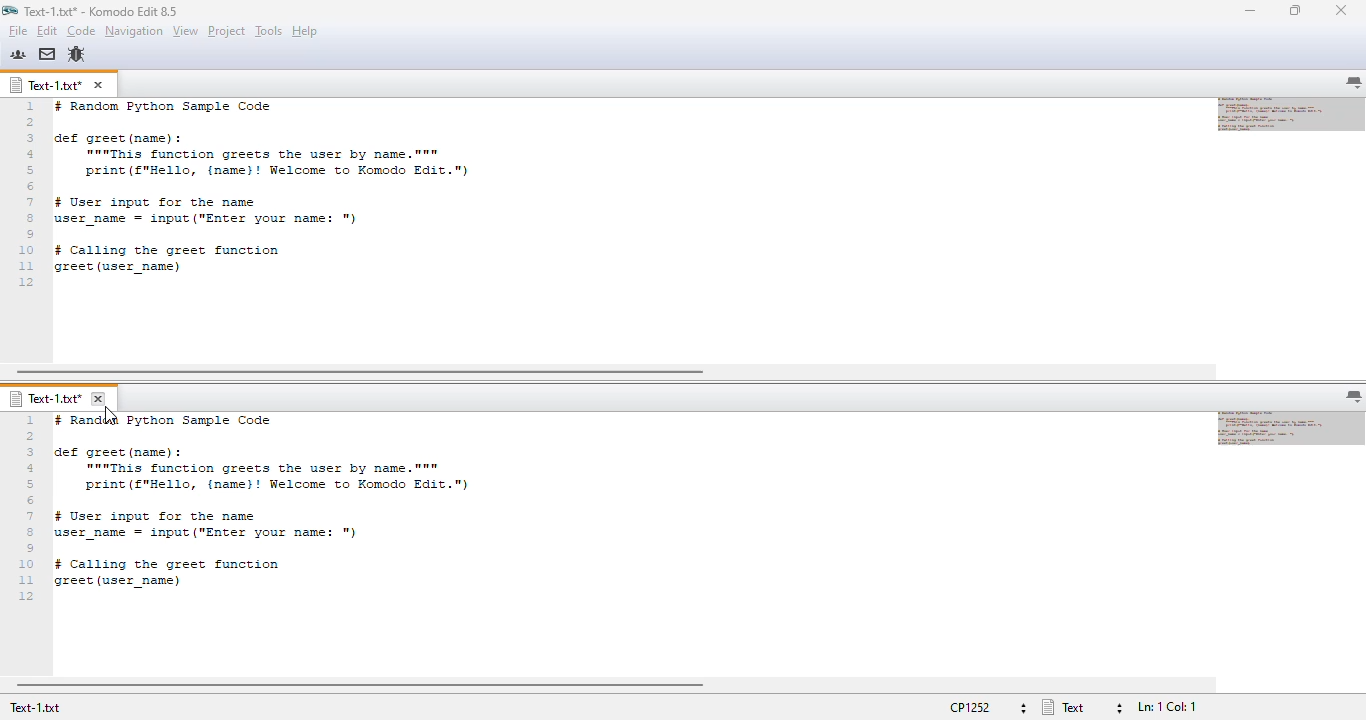 The image size is (1366, 720). I want to click on close, so click(1341, 10).